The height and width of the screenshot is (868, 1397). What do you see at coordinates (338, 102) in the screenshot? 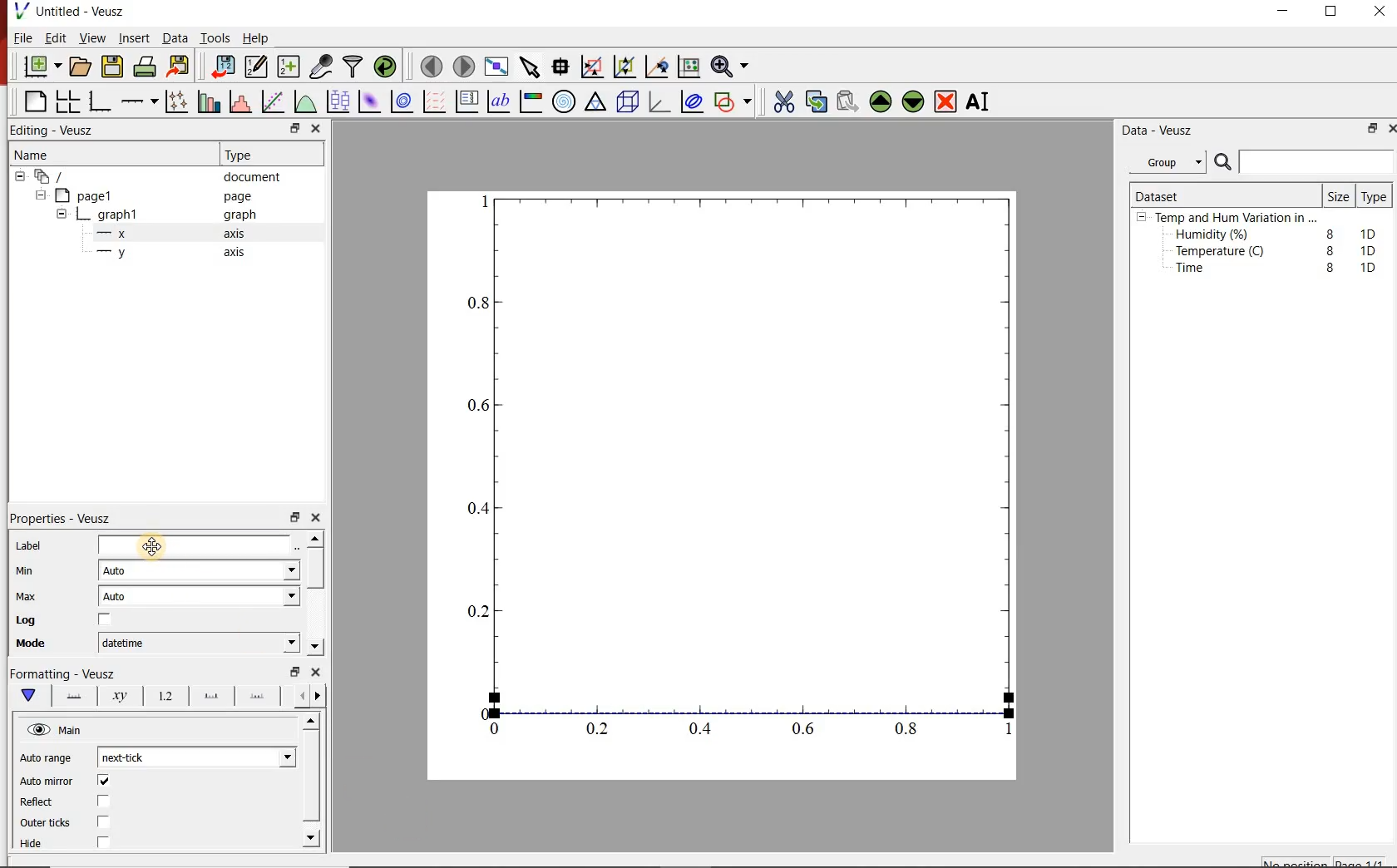
I see `plot box plots` at bounding box center [338, 102].